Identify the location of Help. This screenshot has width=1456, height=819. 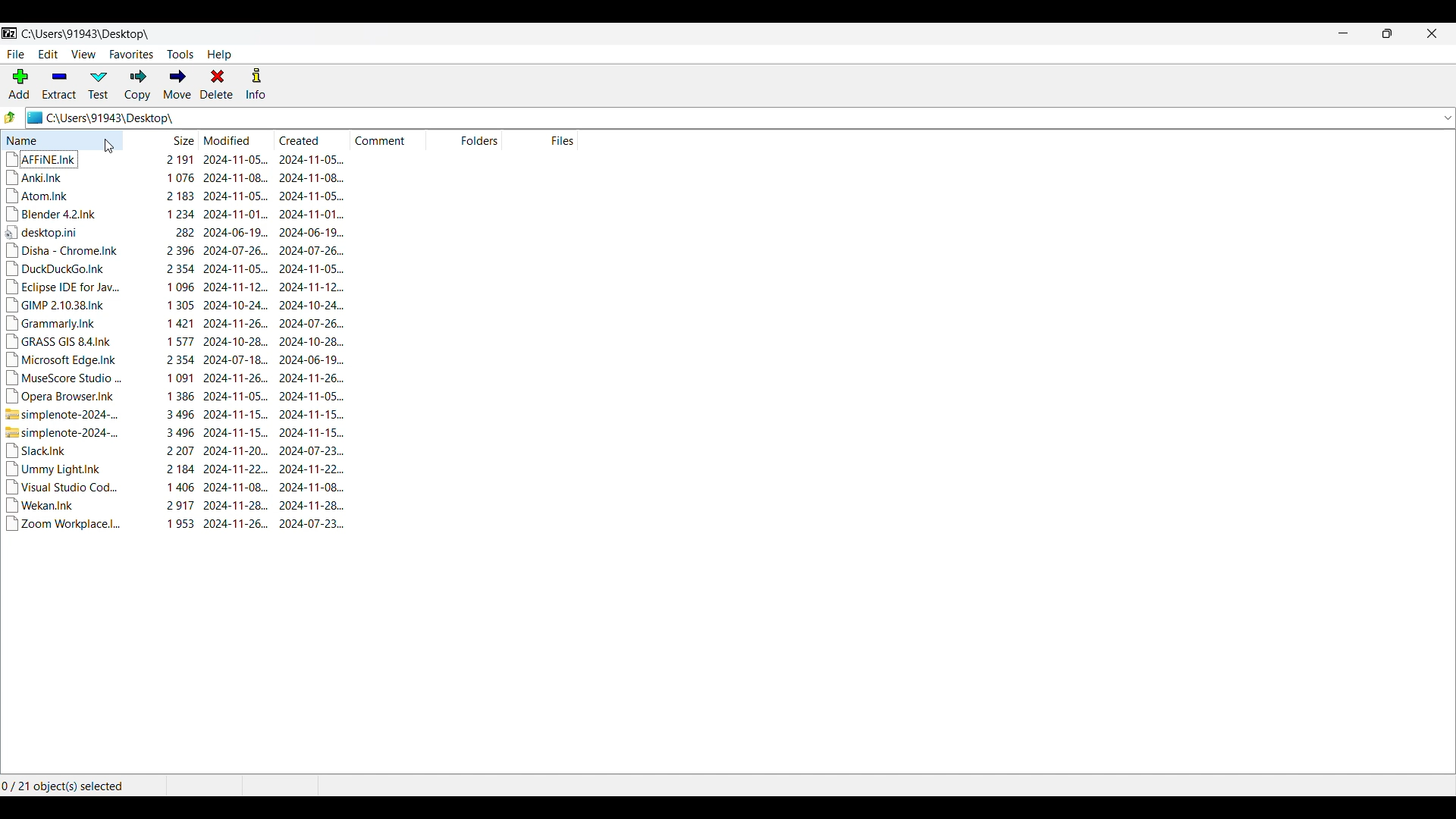
(220, 55).